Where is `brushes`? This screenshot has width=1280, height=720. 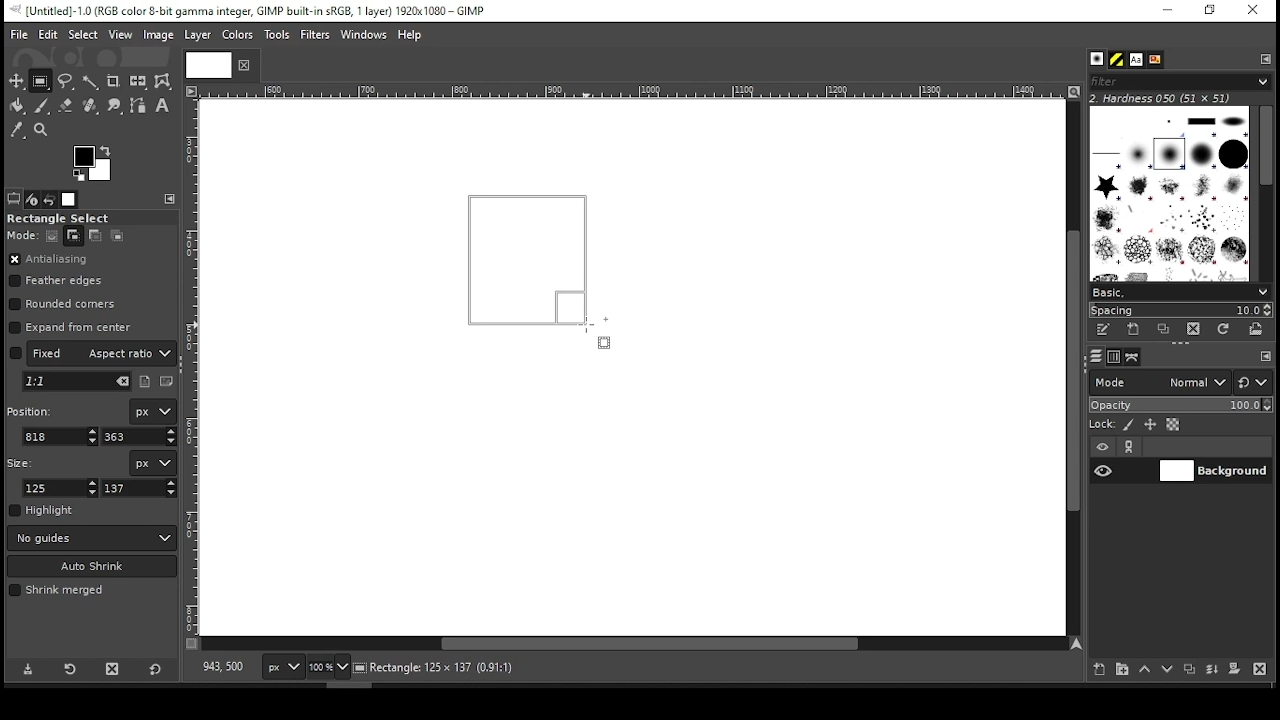 brushes is located at coordinates (1169, 193).